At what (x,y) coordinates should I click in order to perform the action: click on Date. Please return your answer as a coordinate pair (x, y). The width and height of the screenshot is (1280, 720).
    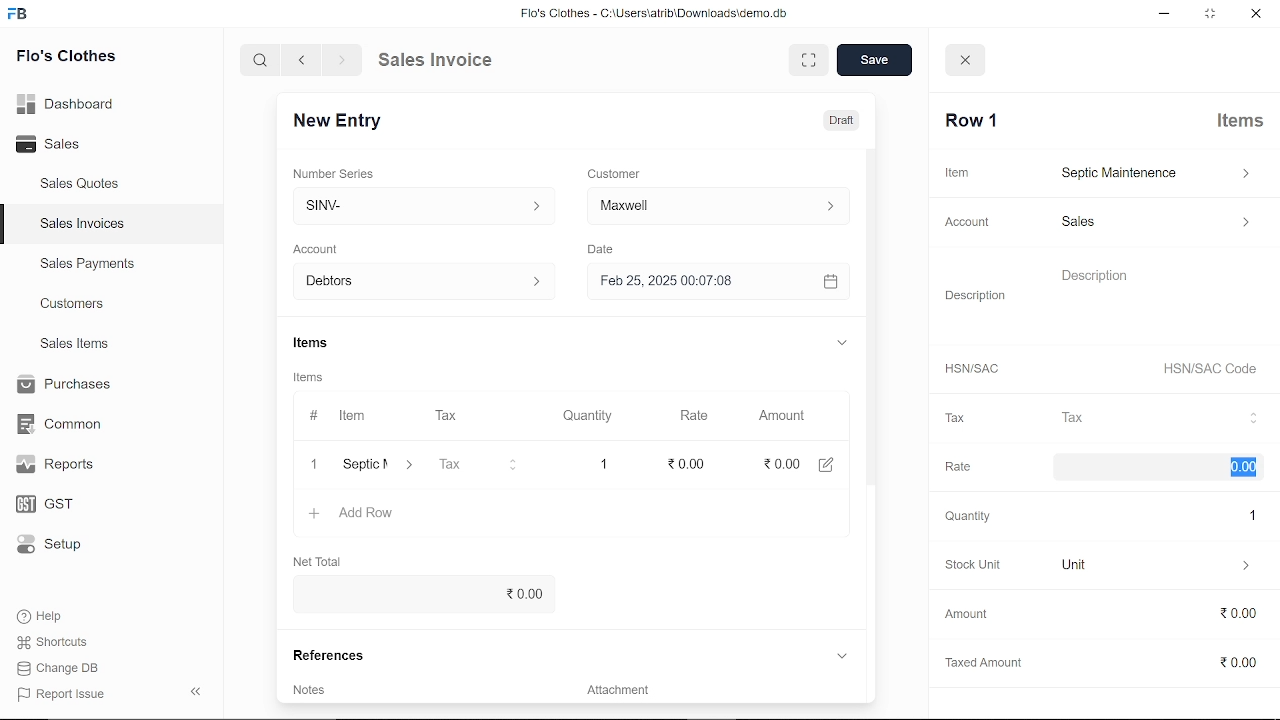
    Looking at the image, I should click on (604, 248).